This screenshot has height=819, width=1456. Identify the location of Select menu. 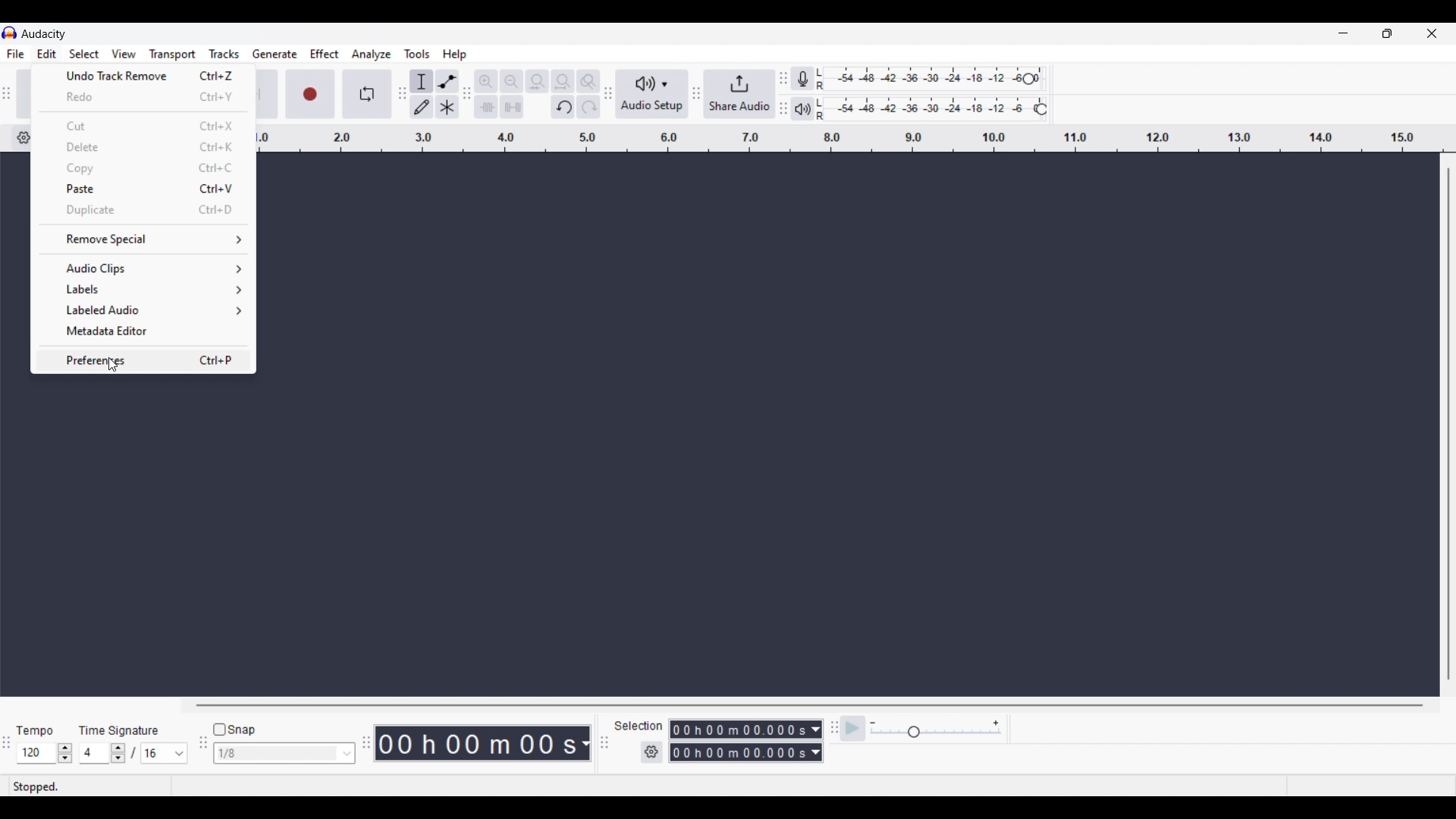
(83, 52).